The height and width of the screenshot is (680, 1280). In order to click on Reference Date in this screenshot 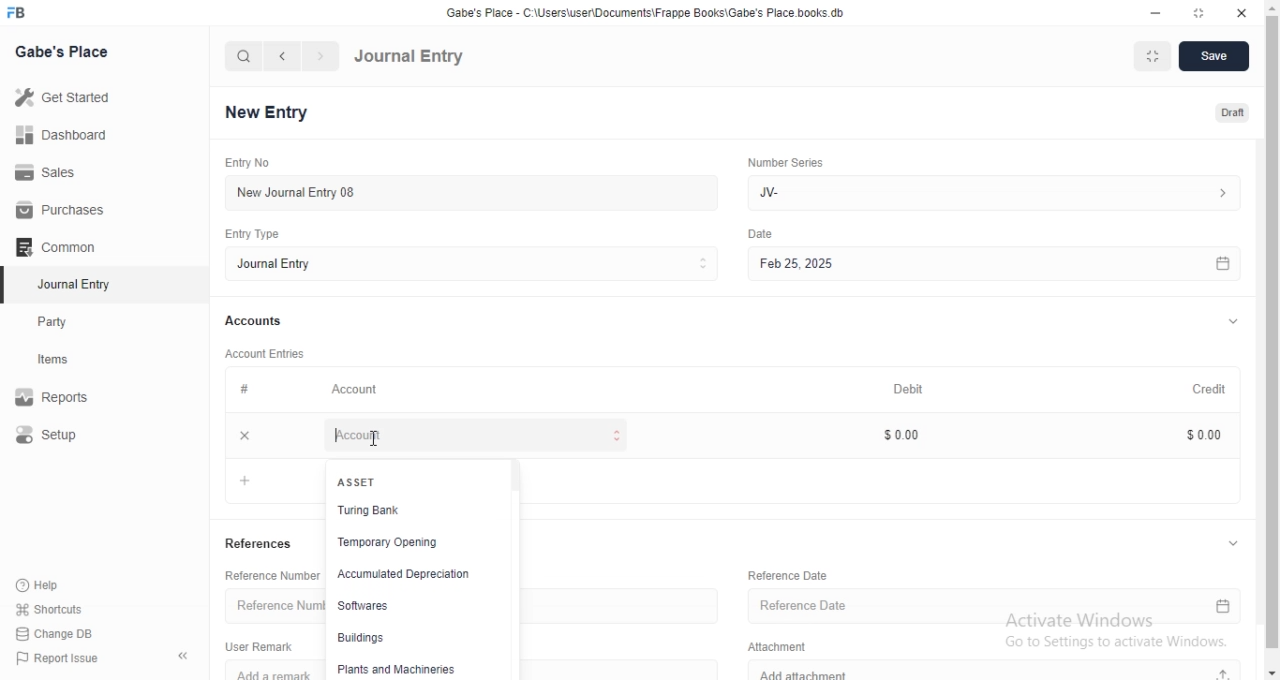, I will do `click(996, 605)`.